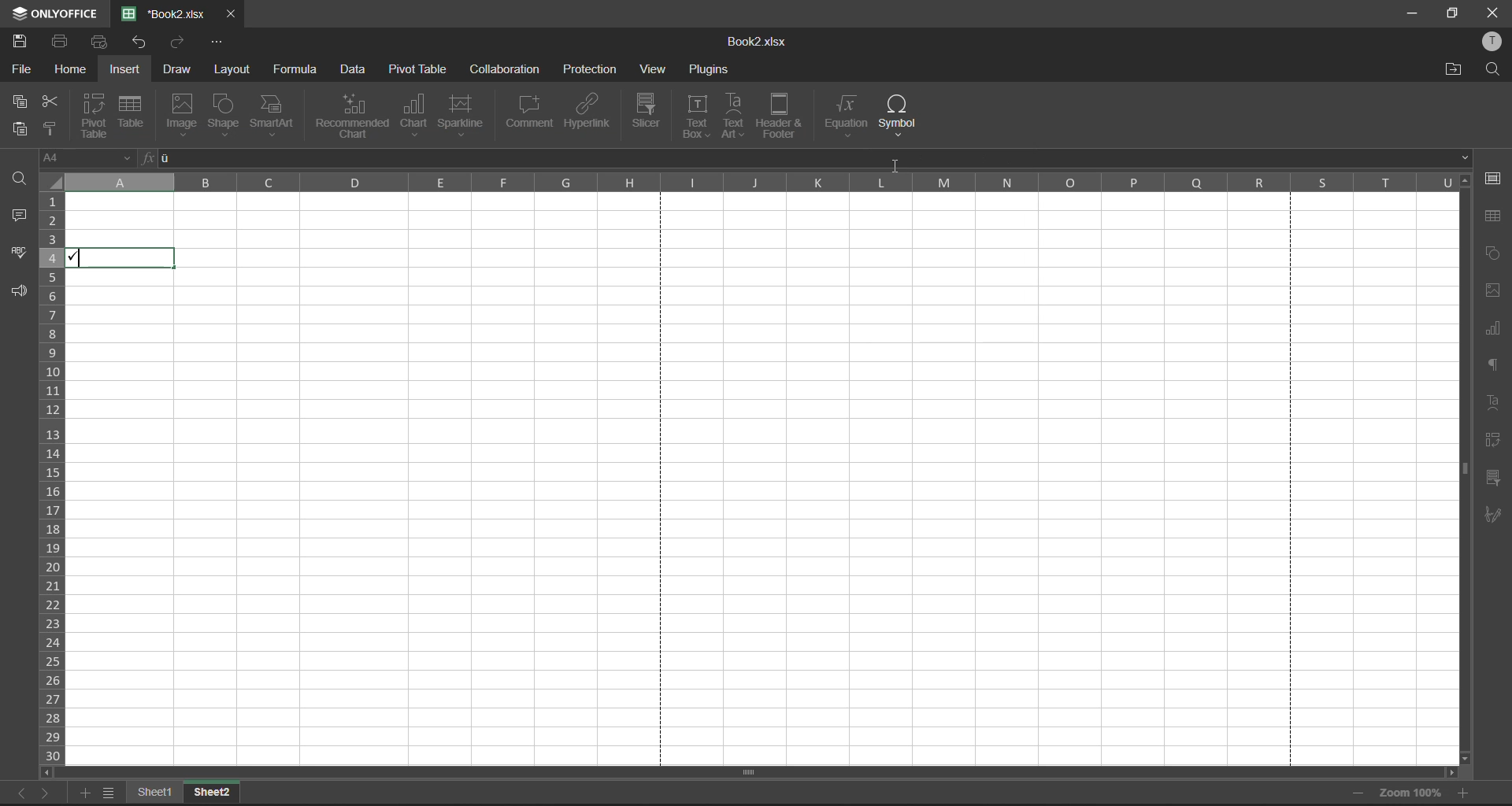 The image size is (1512, 806). I want to click on customize quick access toolbar, so click(213, 43).